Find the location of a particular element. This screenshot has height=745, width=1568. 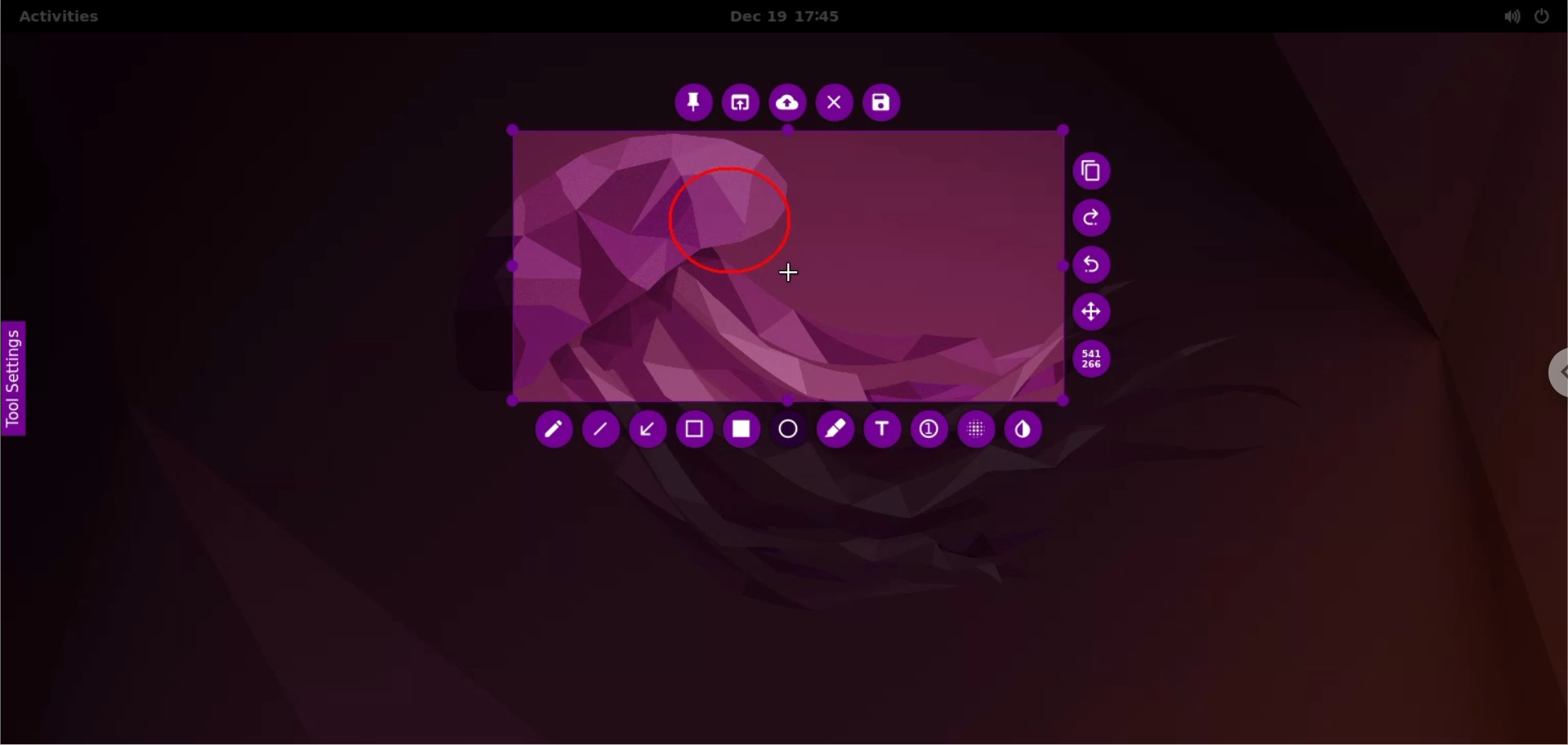

line tool is located at coordinates (604, 433).